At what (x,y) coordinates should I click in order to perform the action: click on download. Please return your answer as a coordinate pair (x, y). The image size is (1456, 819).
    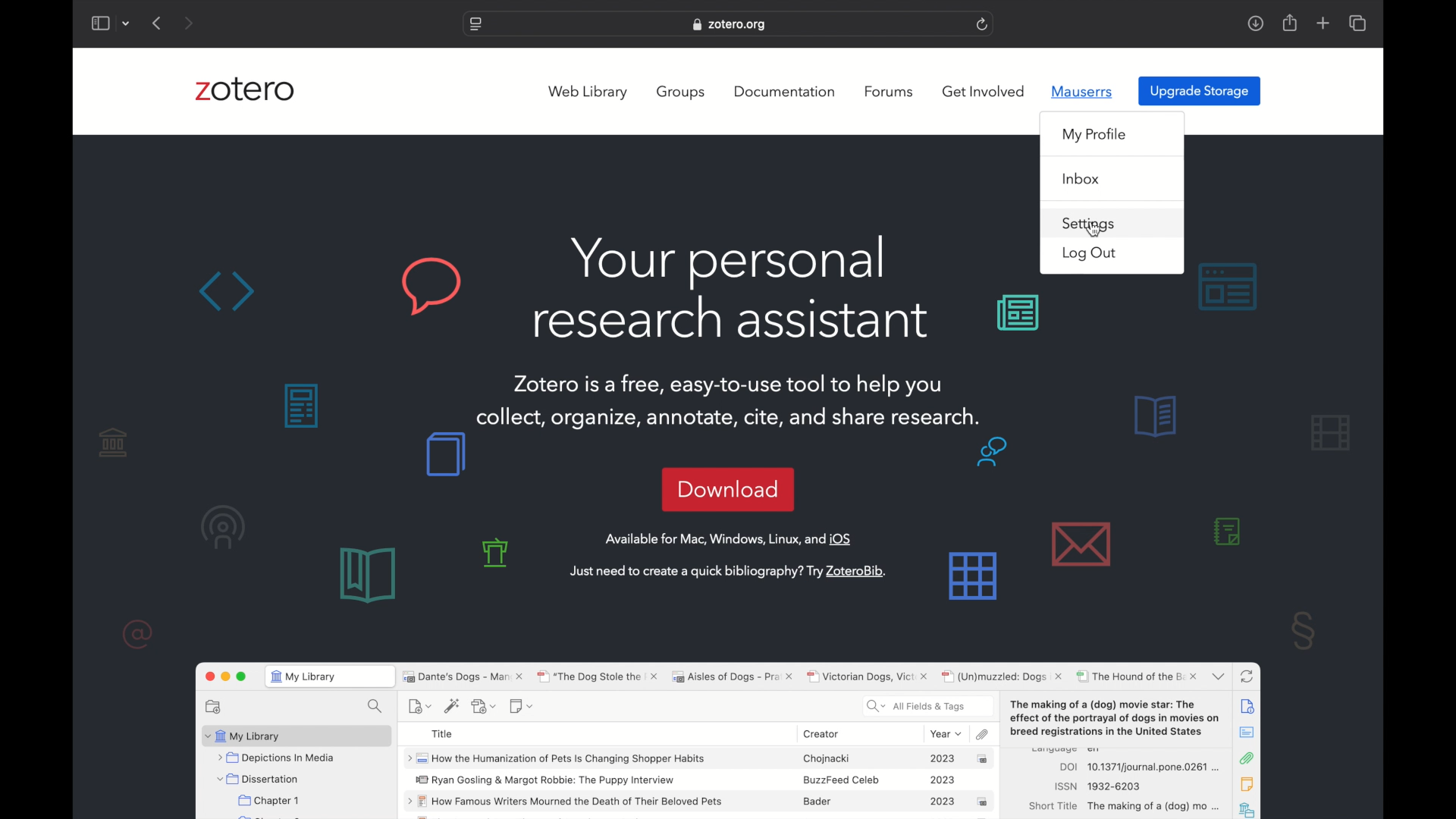
    Looking at the image, I should click on (727, 489).